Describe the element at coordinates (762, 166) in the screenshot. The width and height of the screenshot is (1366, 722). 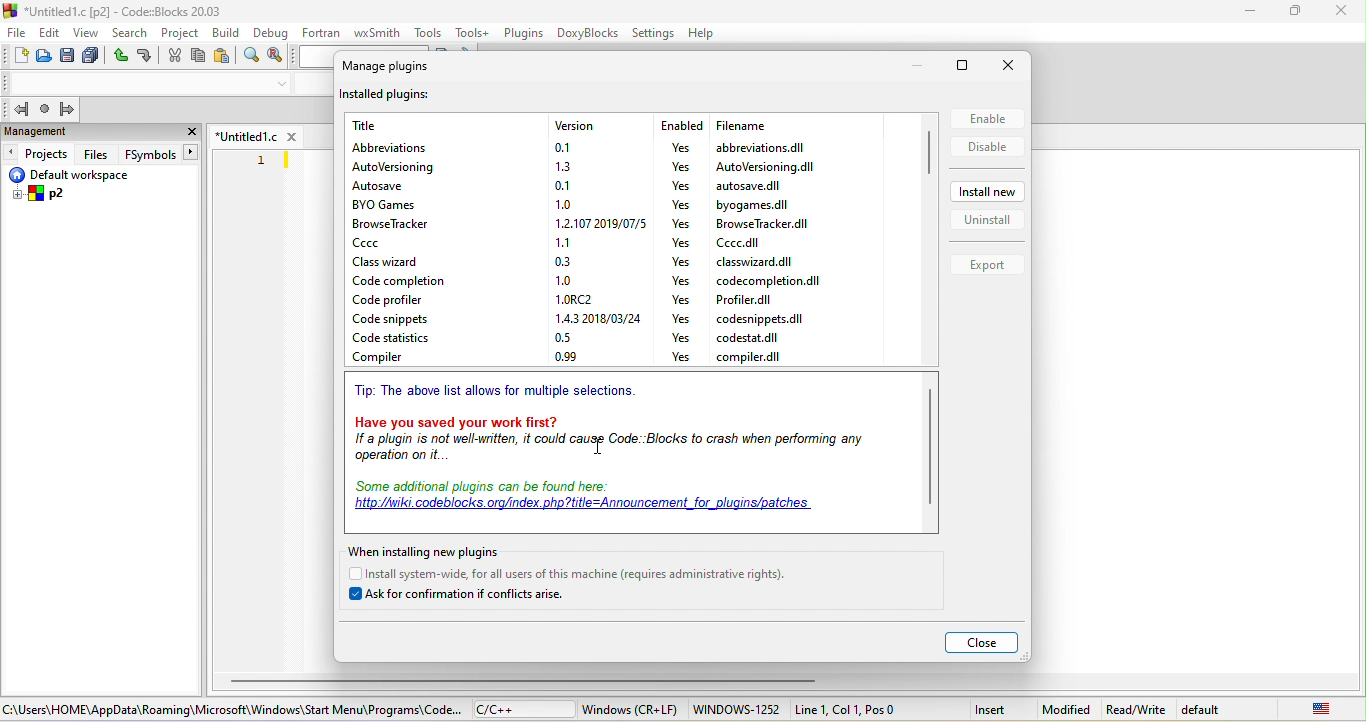
I see `autoversioning` at that location.